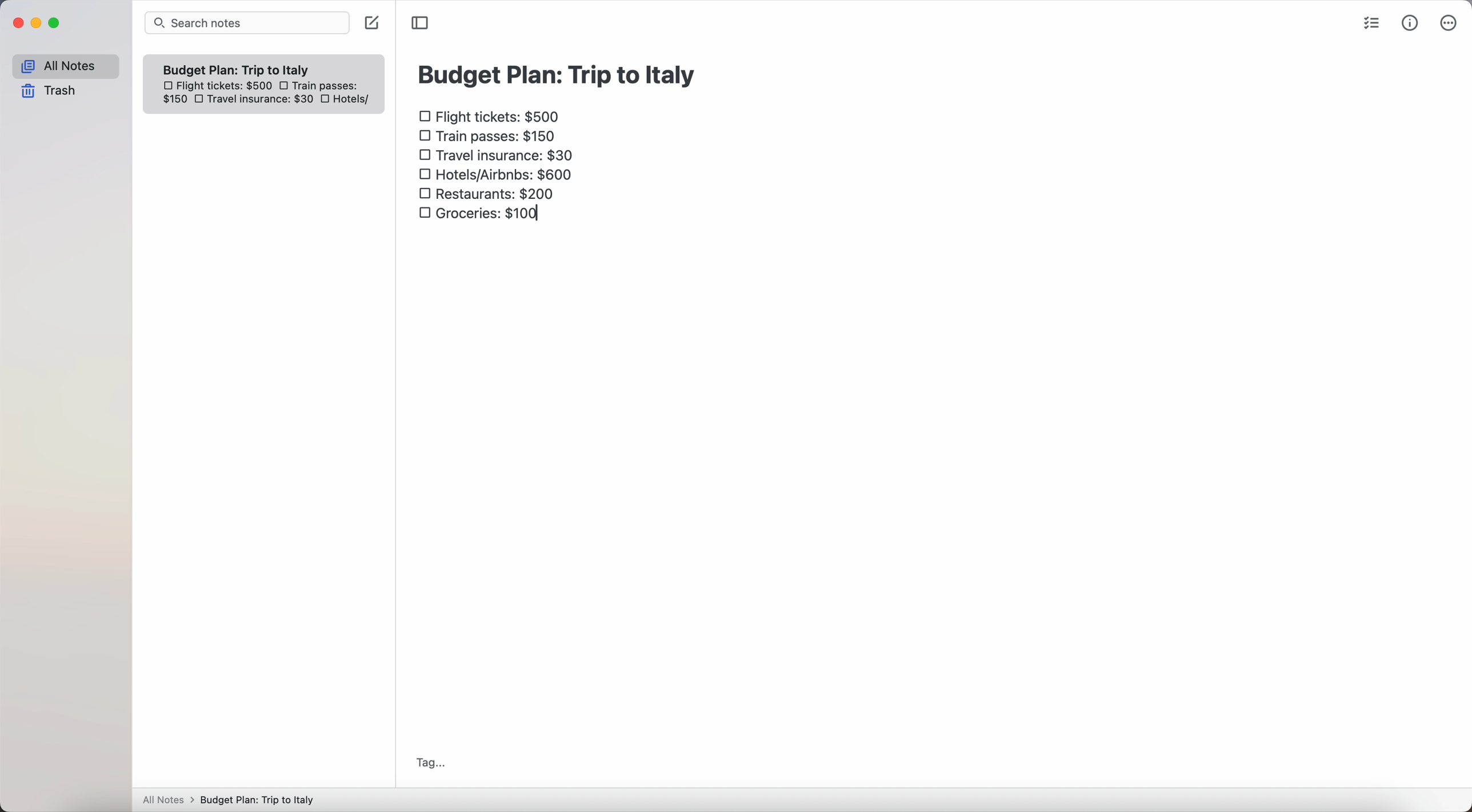 Image resolution: width=1472 pixels, height=812 pixels. I want to click on create note, so click(371, 24).